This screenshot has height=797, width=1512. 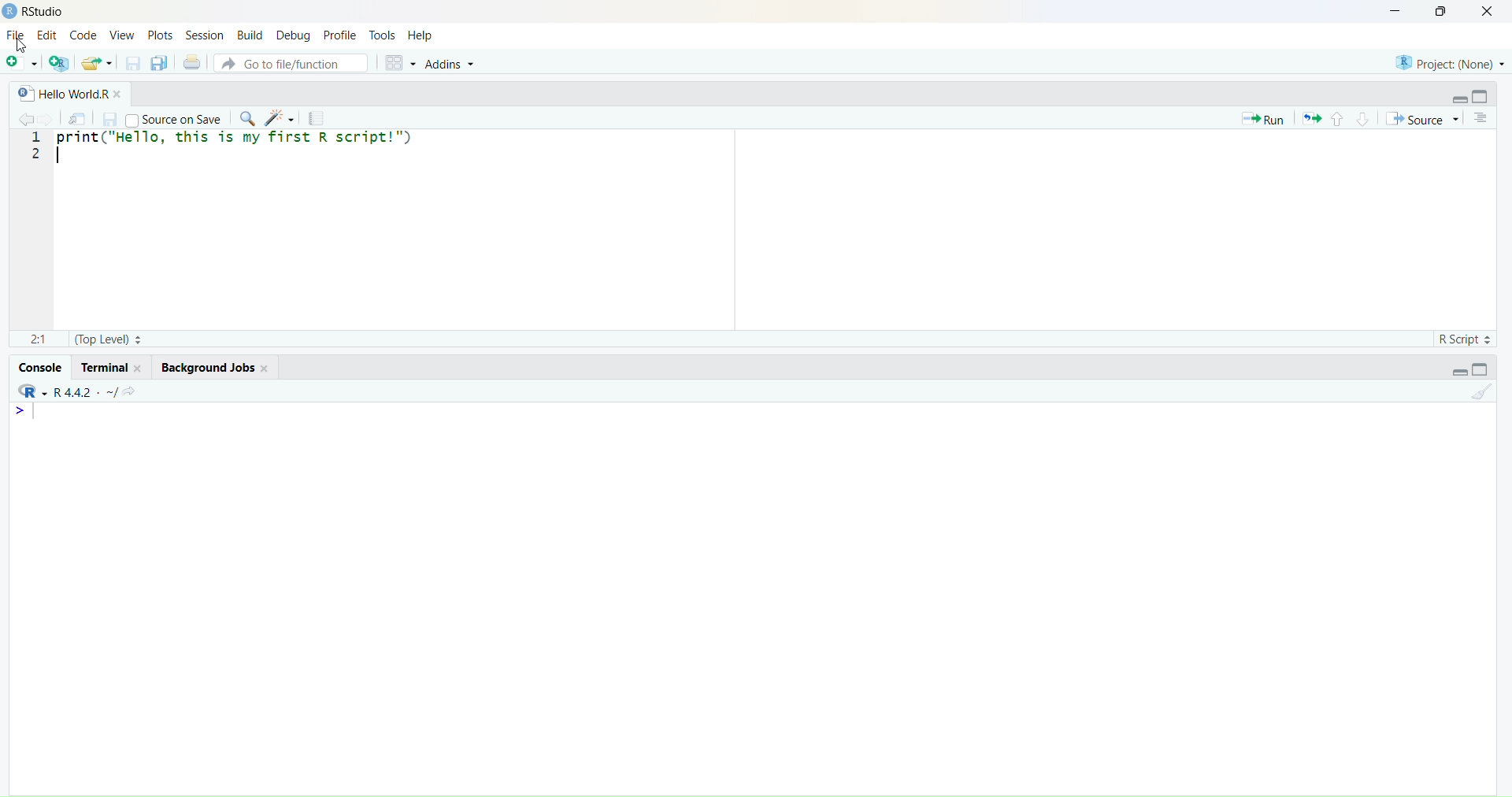 What do you see at coordinates (82, 94) in the screenshot?
I see `Hello World.R` at bounding box center [82, 94].